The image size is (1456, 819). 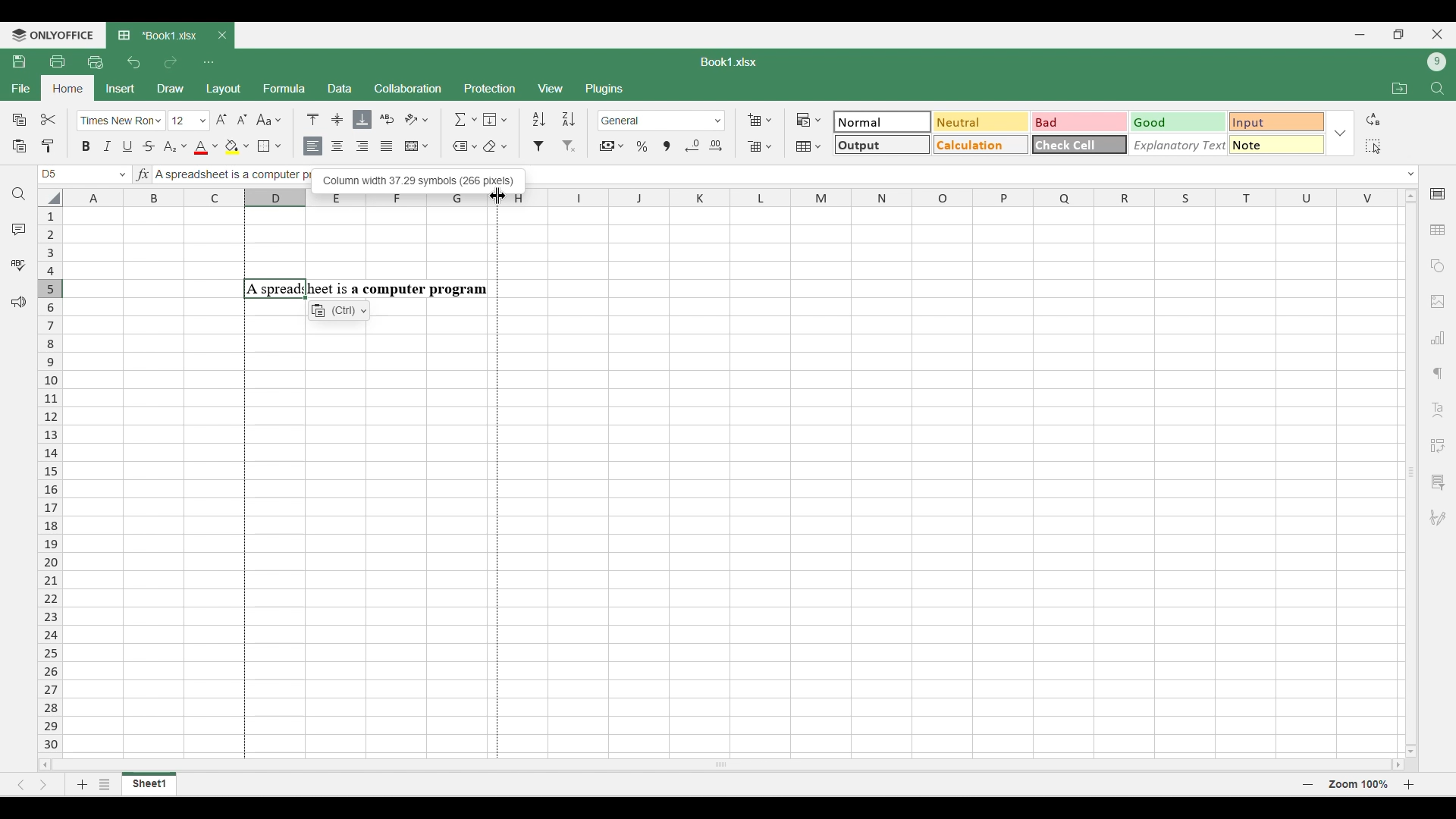 I want to click on Merge and centre options, so click(x=417, y=146).